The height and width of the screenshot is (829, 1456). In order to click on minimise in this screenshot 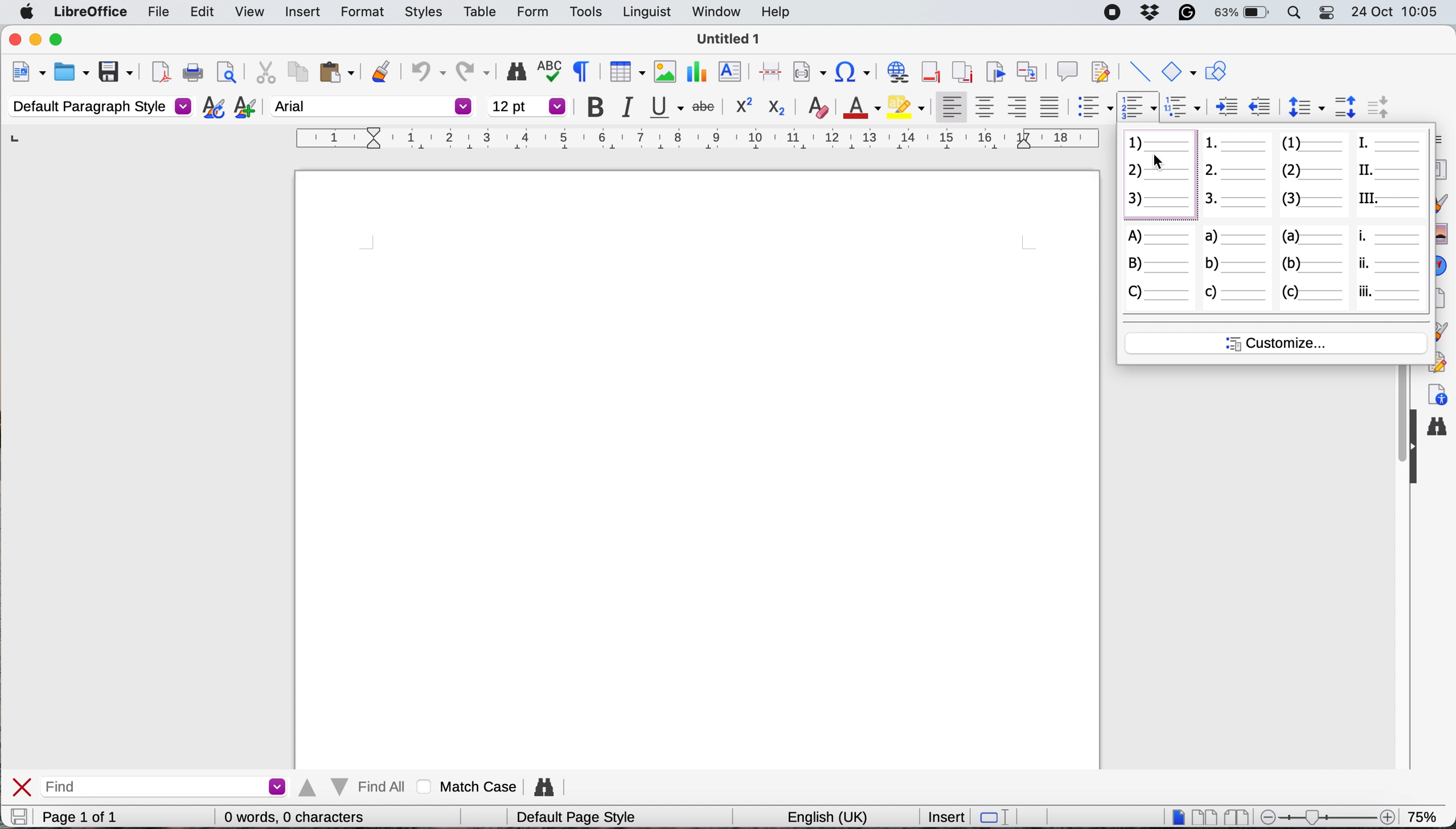, I will do `click(36, 40)`.